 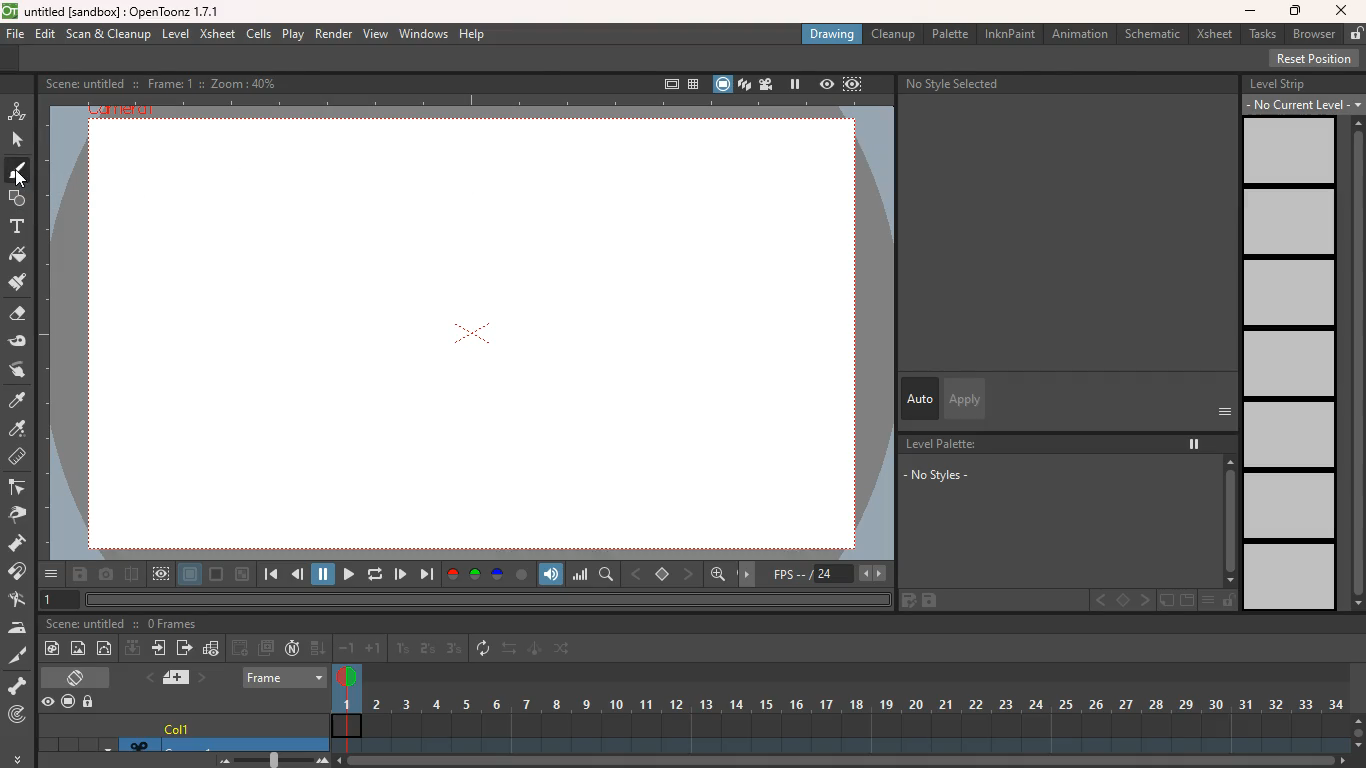 I want to click on -1, so click(x=347, y=648).